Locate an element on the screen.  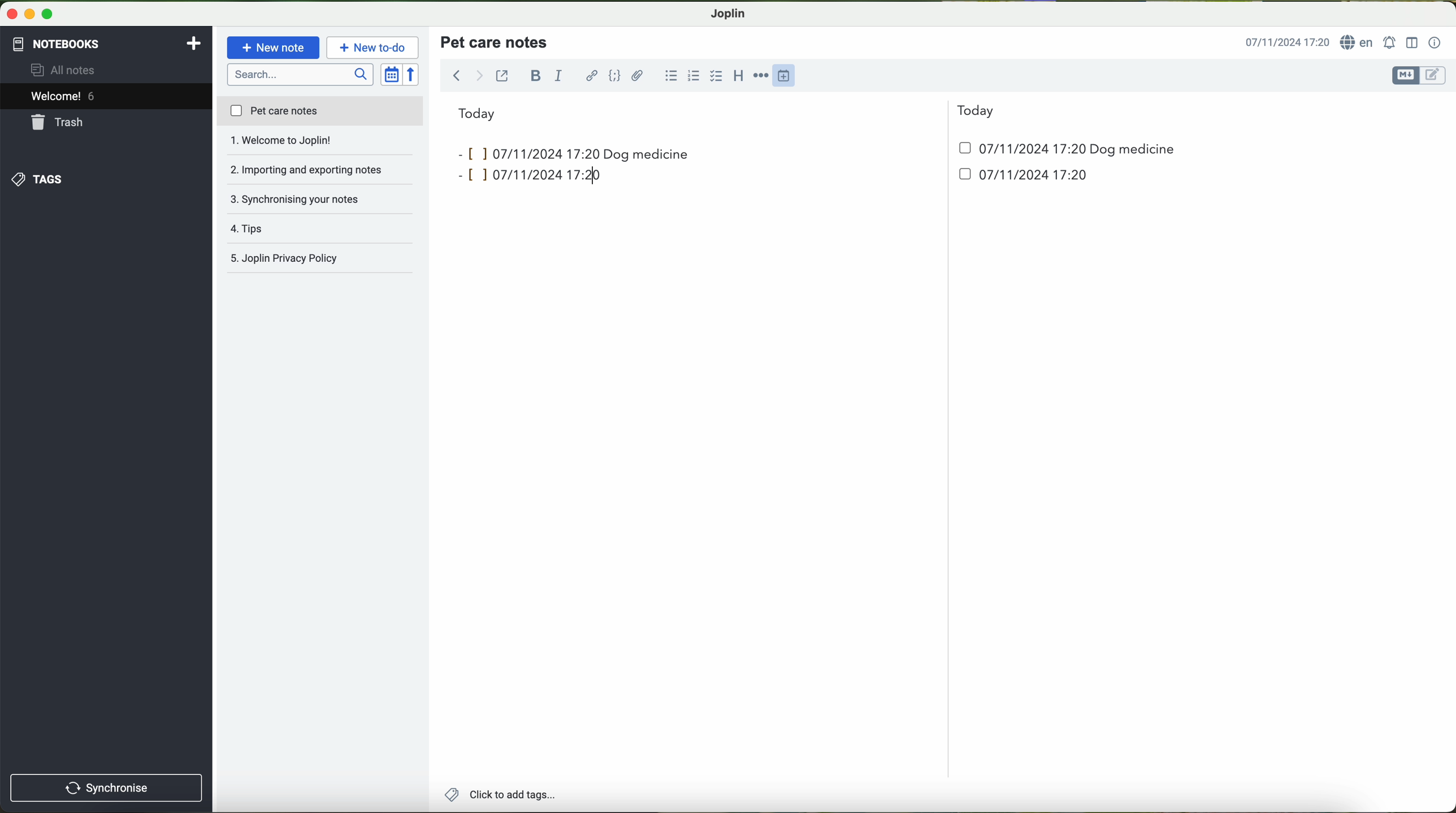
cursor on checkbox option is located at coordinates (718, 76).